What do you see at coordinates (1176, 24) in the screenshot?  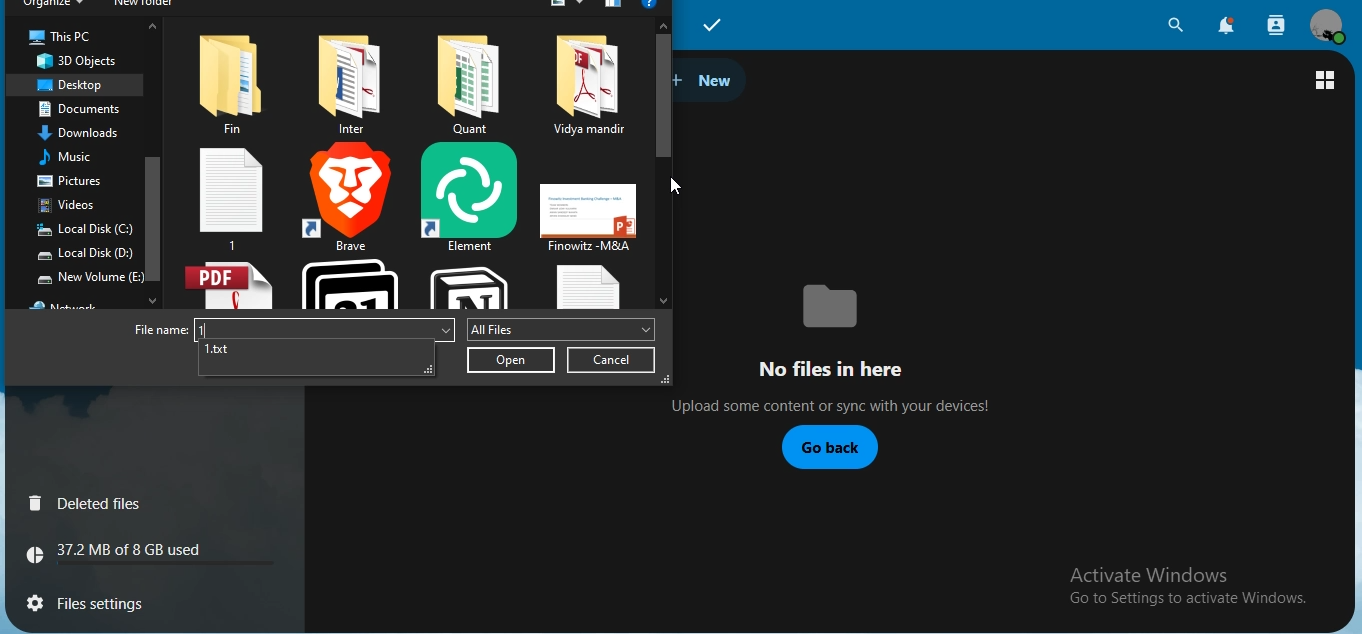 I see `search` at bounding box center [1176, 24].